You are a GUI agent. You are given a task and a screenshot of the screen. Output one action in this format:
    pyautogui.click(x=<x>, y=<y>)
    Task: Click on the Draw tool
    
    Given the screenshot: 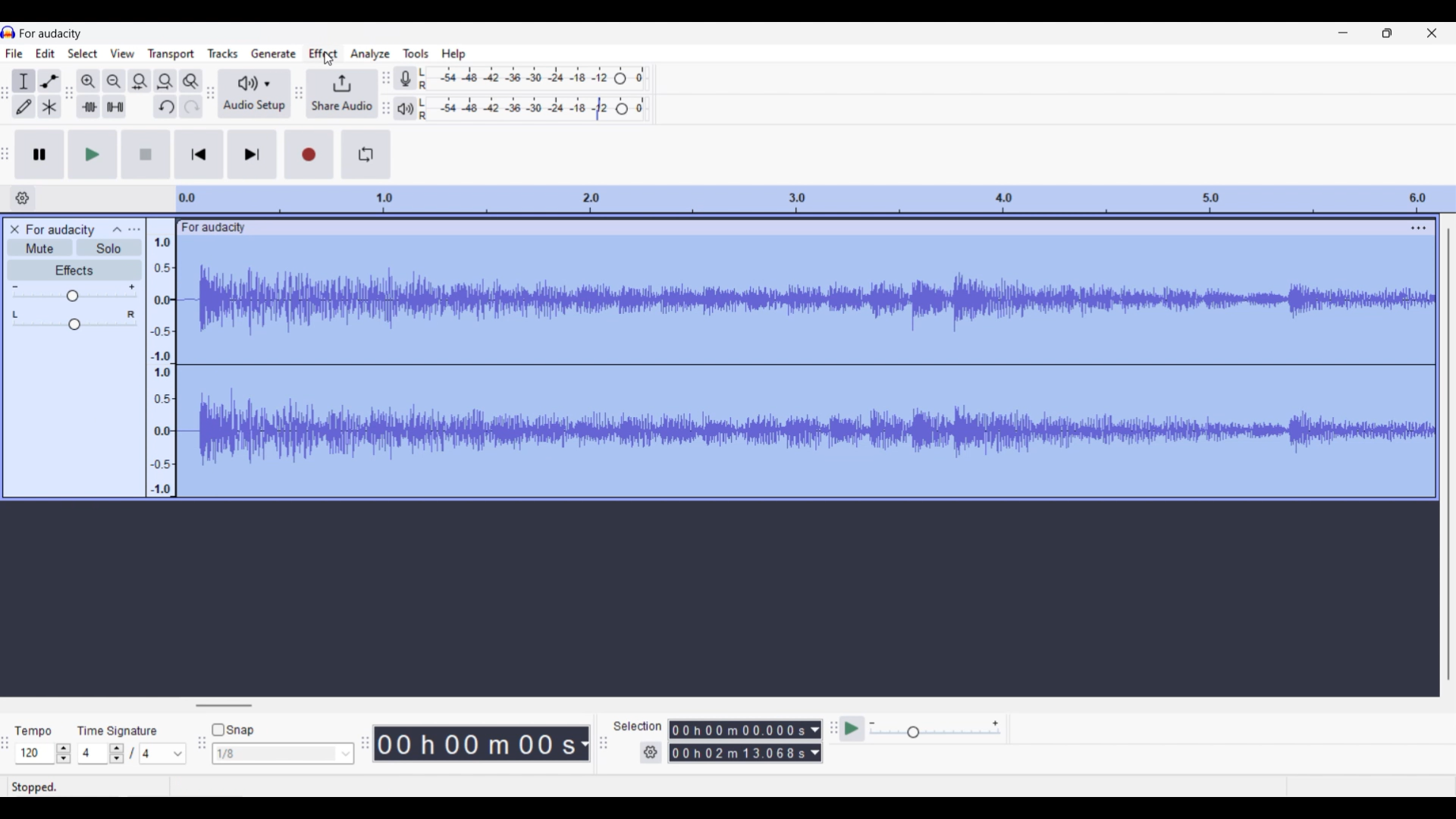 What is the action you would take?
    pyautogui.click(x=24, y=107)
    